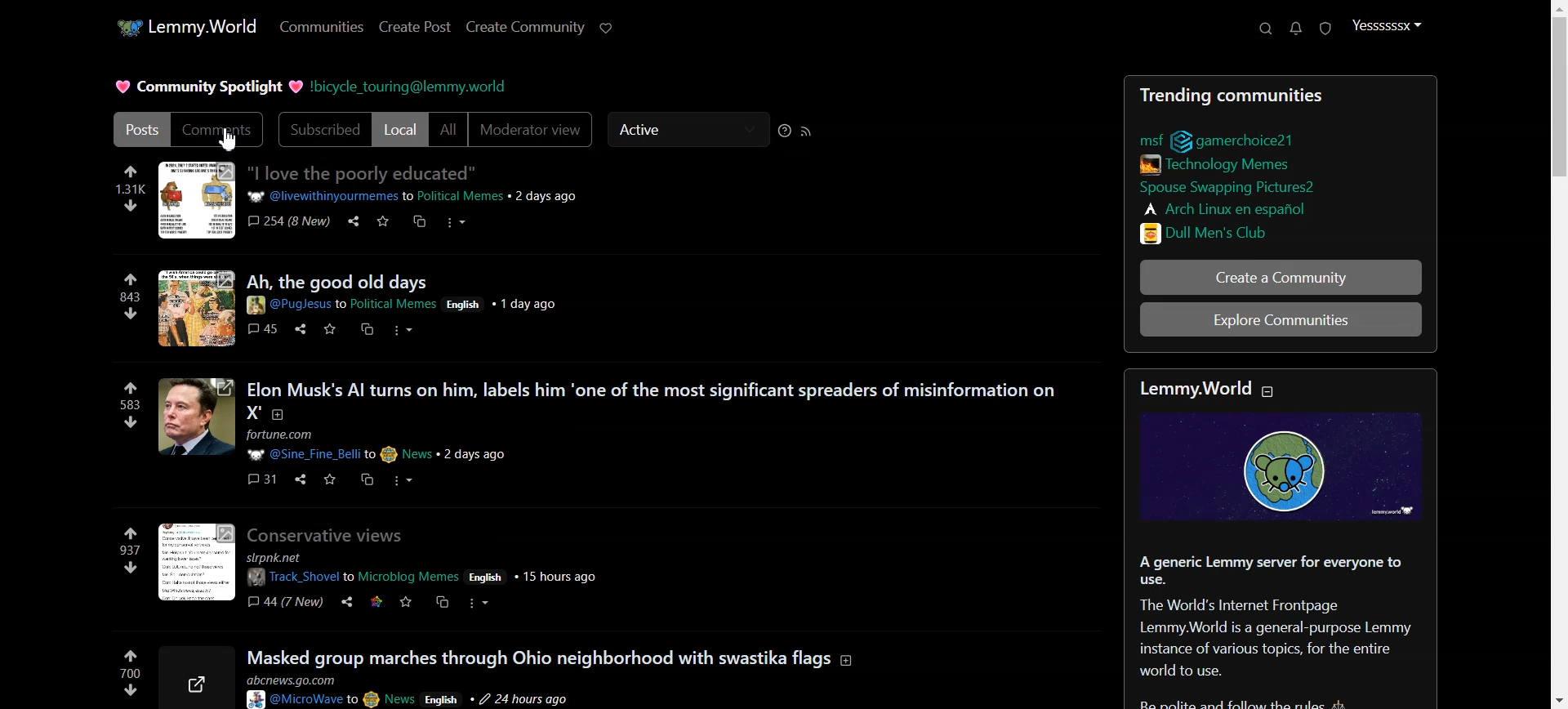  Describe the element at coordinates (1297, 29) in the screenshot. I see `Unread Message` at that location.